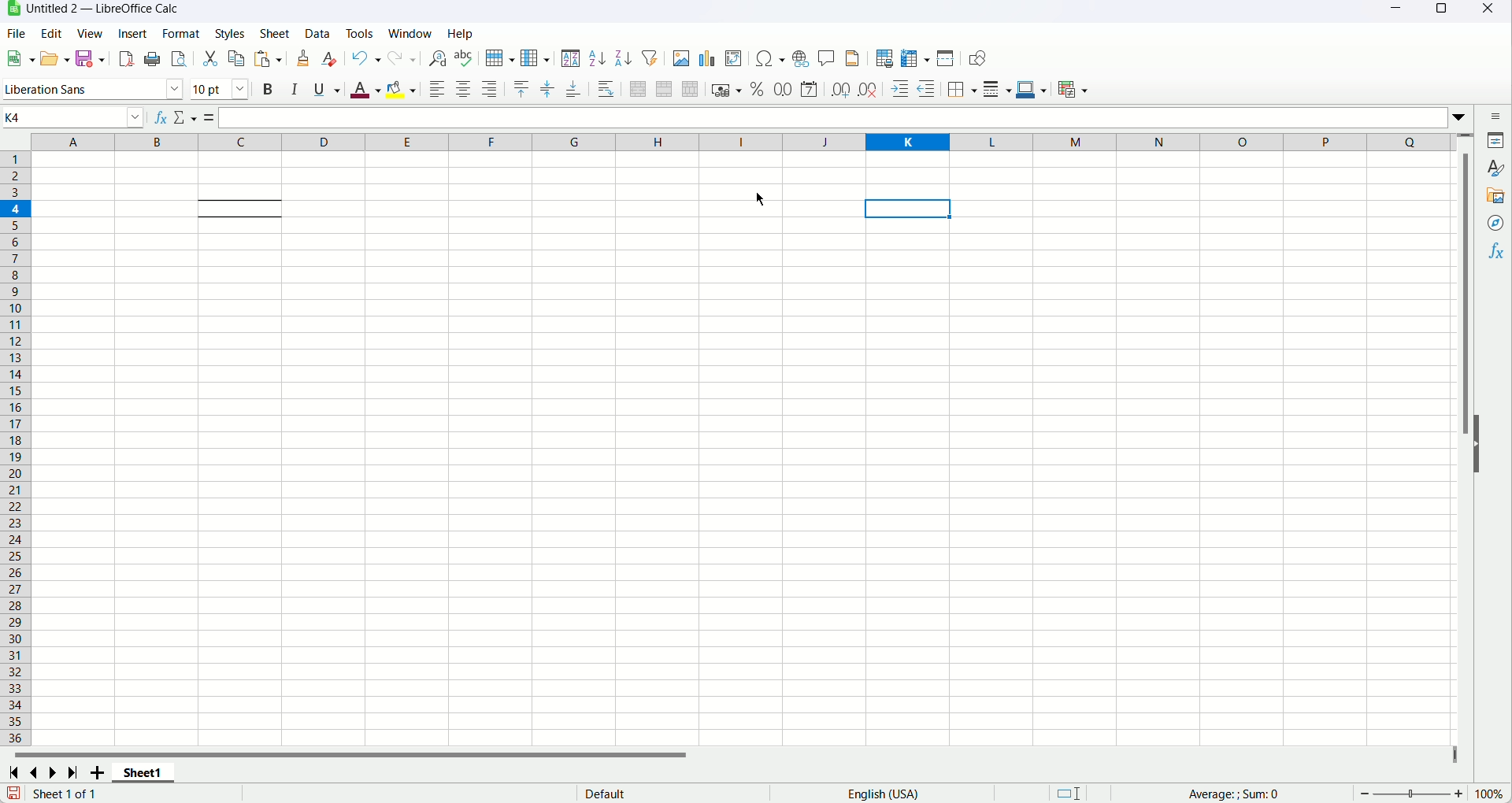 The width and height of the screenshot is (1512, 803). Describe the element at coordinates (883, 793) in the screenshot. I see `Text language` at that location.